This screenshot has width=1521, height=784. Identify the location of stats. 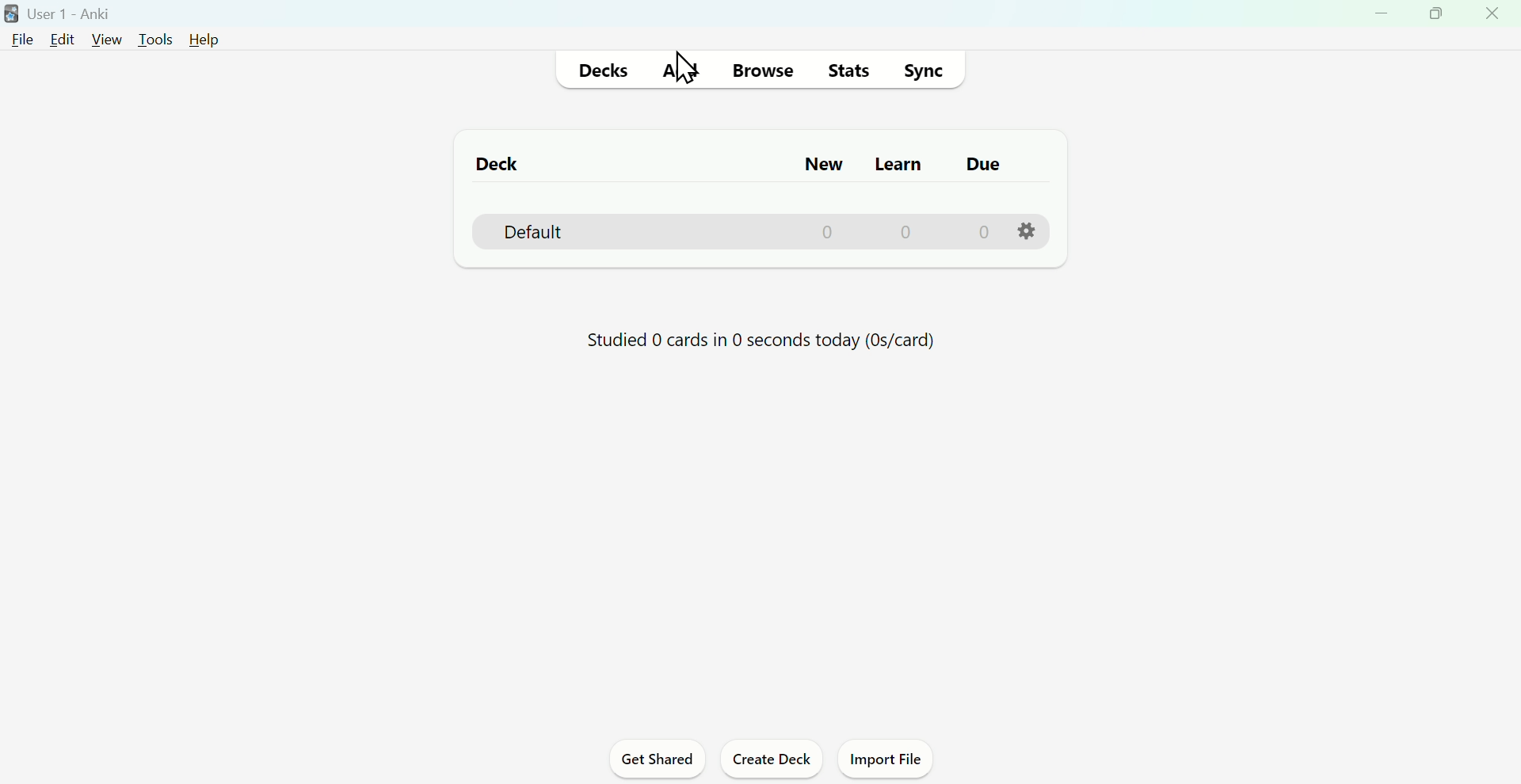
(847, 70).